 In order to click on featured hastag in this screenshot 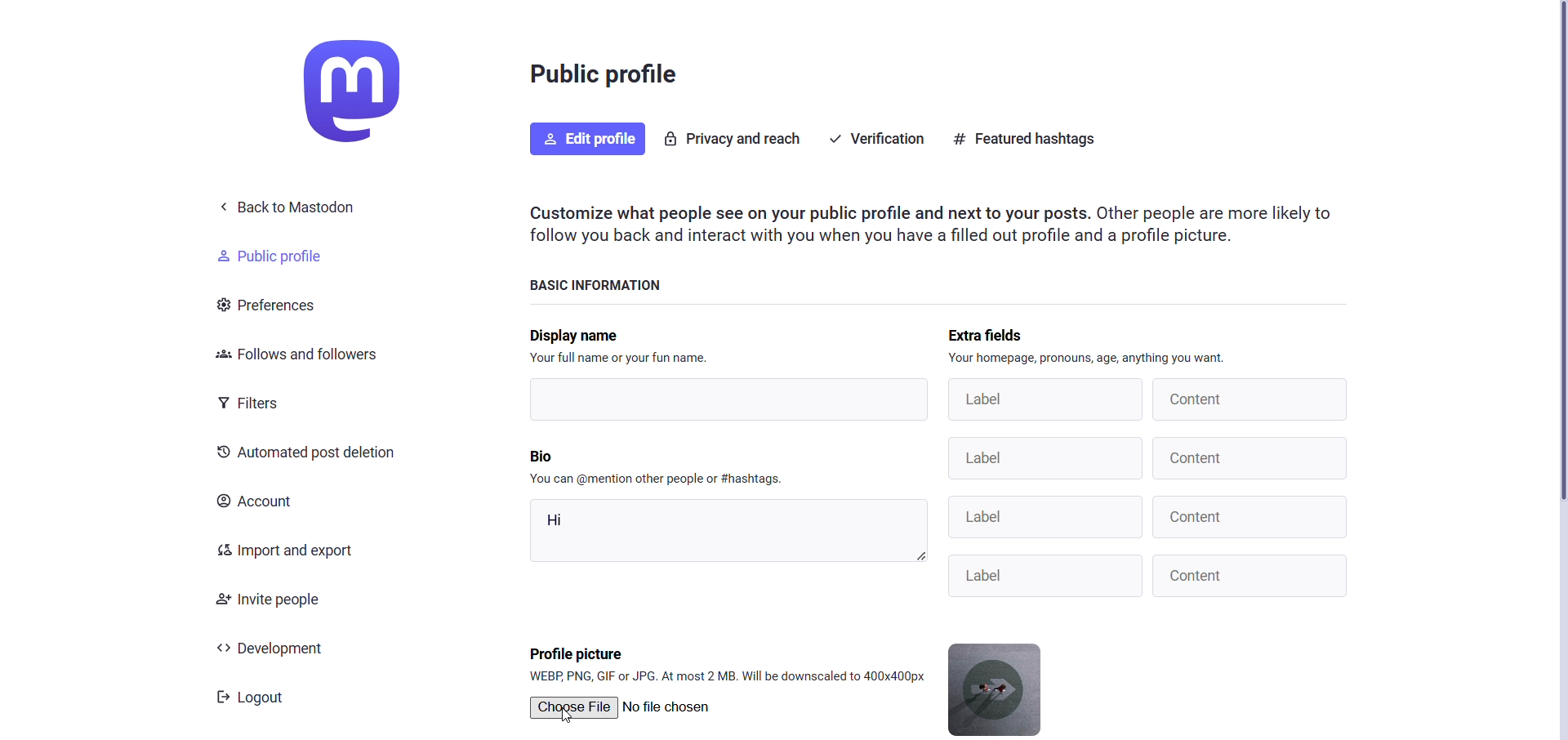, I will do `click(1026, 137)`.